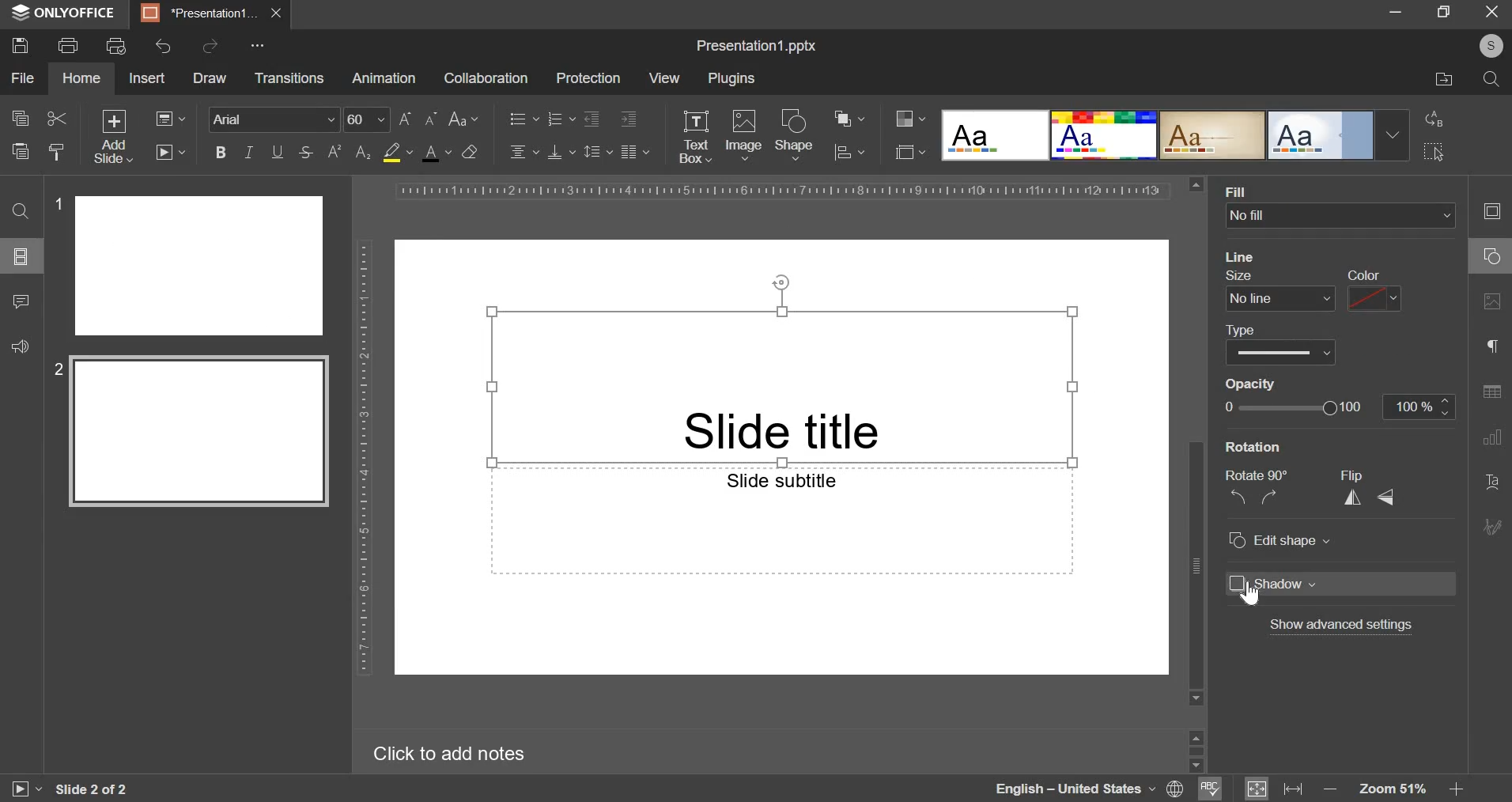 The image size is (1512, 802). What do you see at coordinates (1454, 789) in the screenshot?
I see `zoom in` at bounding box center [1454, 789].